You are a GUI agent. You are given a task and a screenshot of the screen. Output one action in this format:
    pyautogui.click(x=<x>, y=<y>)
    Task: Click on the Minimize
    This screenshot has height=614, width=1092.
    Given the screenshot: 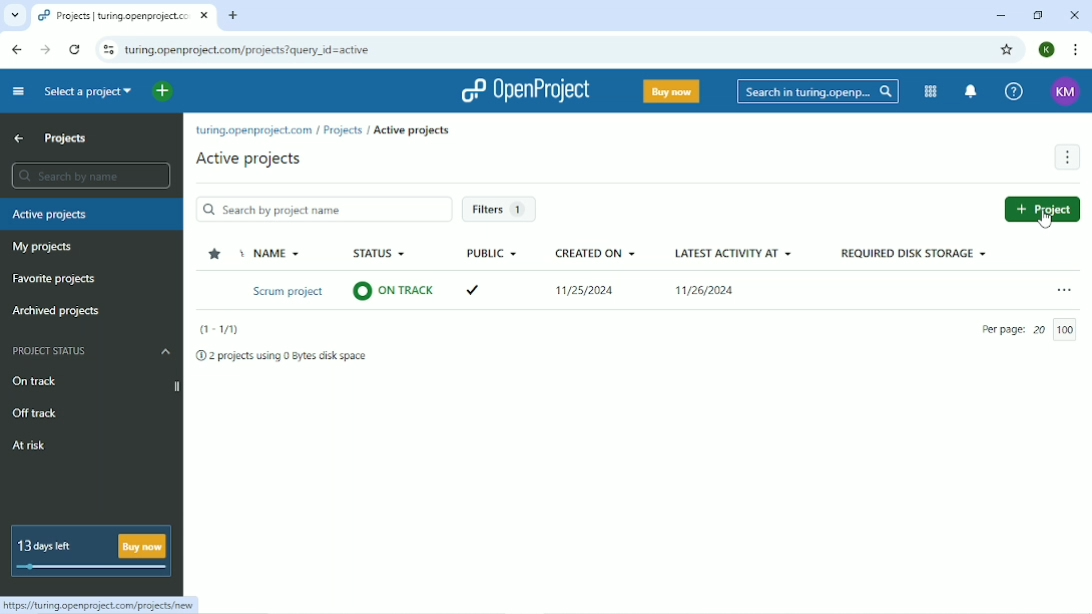 What is the action you would take?
    pyautogui.click(x=1001, y=17)
    